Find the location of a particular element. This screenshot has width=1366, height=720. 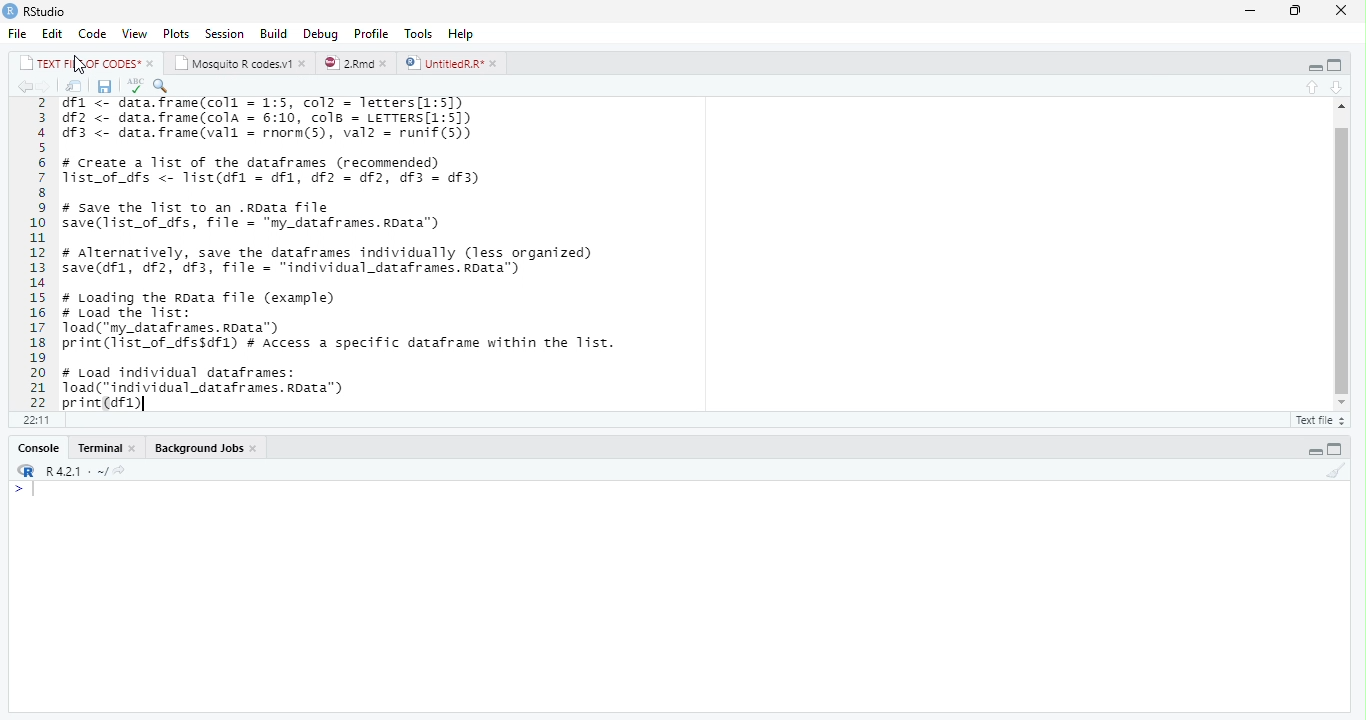

Console is located at coordinates (680, 597).